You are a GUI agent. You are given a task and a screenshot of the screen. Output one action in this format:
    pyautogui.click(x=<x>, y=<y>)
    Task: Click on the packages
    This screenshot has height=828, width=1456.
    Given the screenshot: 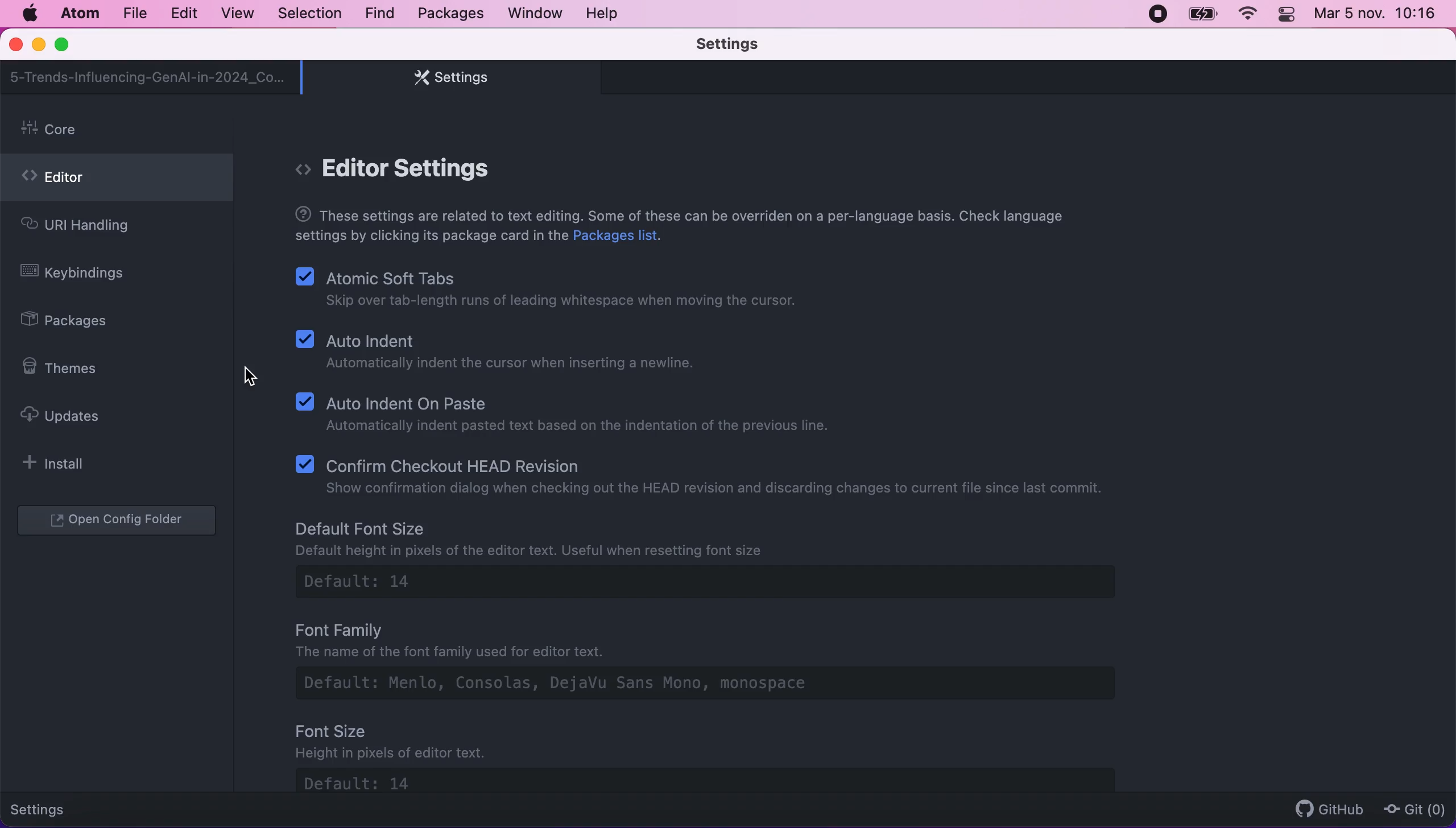 What is the action you would take?
    pyautogui.click(x=77, y=322)
    